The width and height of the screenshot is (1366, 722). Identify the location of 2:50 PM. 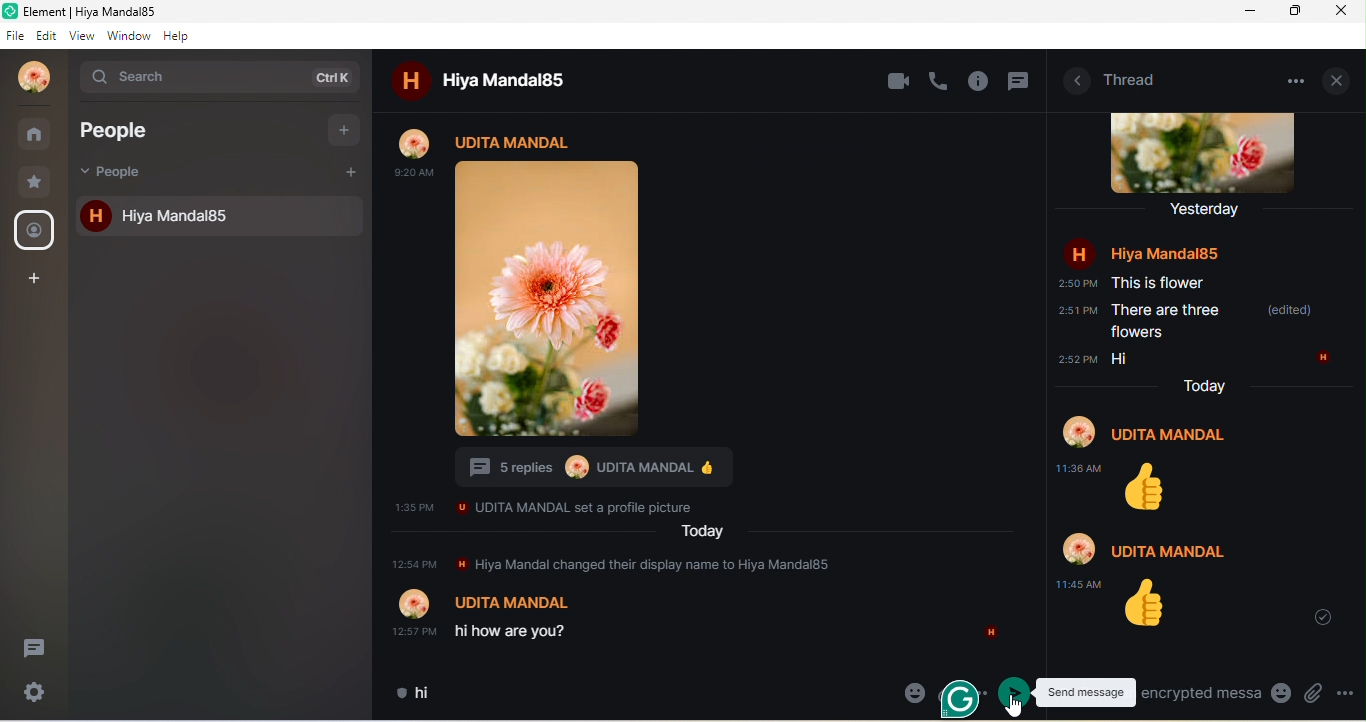
(1076, 284).